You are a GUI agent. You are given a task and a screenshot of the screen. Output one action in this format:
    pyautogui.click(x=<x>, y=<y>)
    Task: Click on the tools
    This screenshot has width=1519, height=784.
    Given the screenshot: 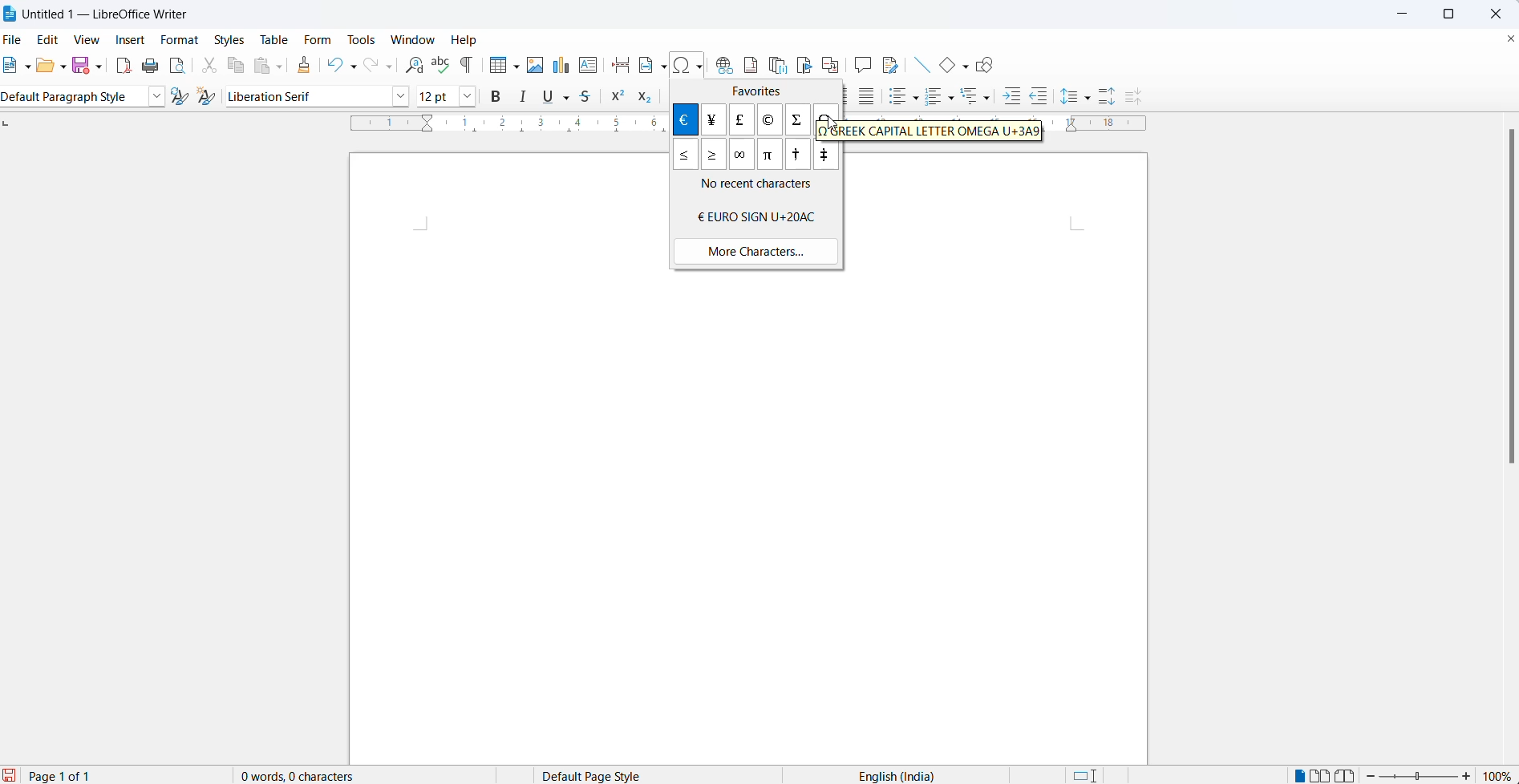 What is the action you would take?
    pyautogui.click(x=363, y=42)
    